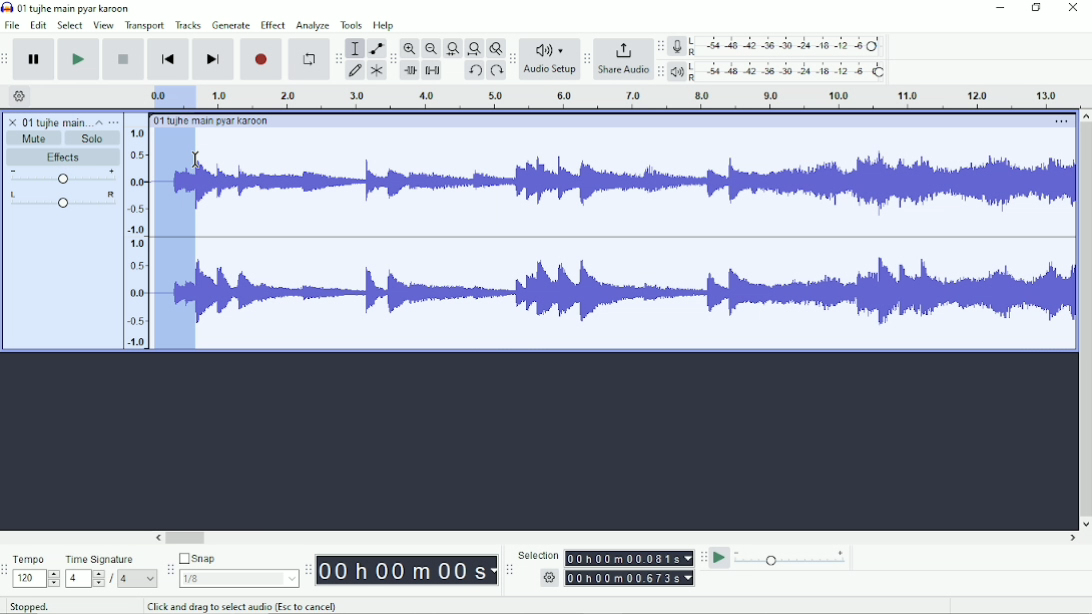 The width and height of the screenshot is (1092, 614). What do you see at coordinates (189, 24) in the screenshot?
I see `Tracks` at bounding box center [189, 24].